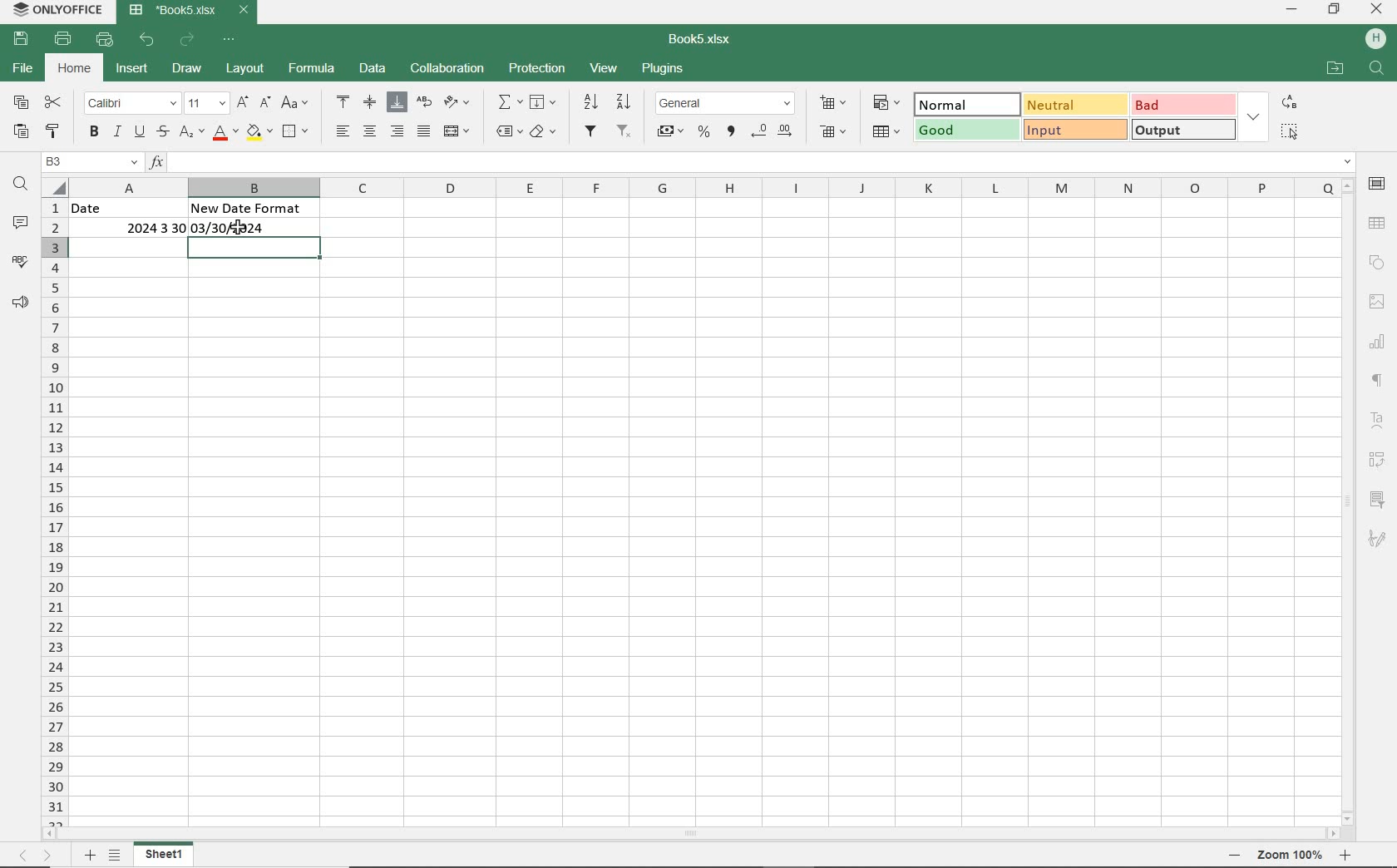  Describe the element at coordinates (1377, 8) in the screenshot. I see `CLOSE` at that location.